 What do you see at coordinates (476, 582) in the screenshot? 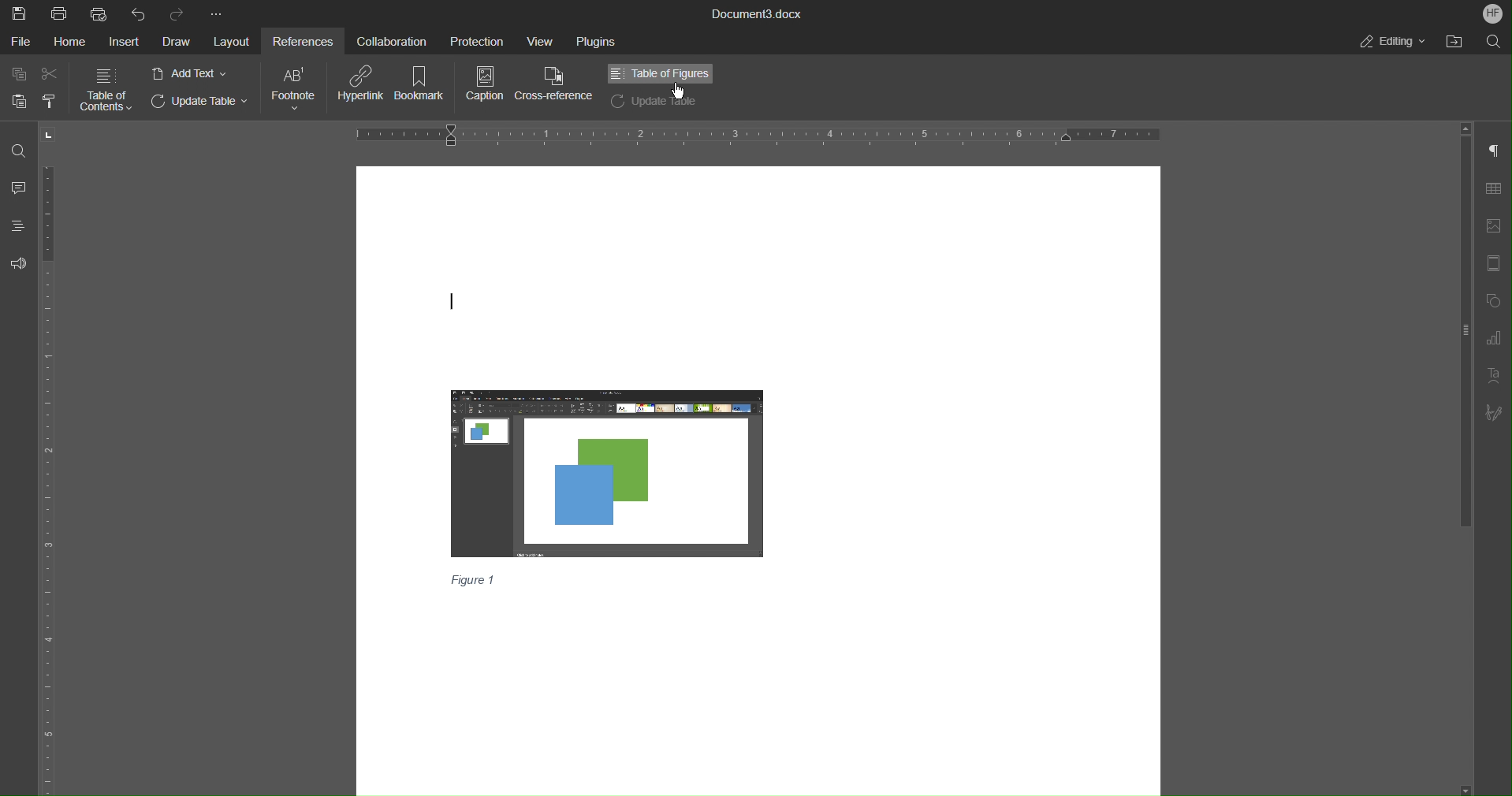
I see `Figure 1(Caption)` at bounding box center [476, 582].